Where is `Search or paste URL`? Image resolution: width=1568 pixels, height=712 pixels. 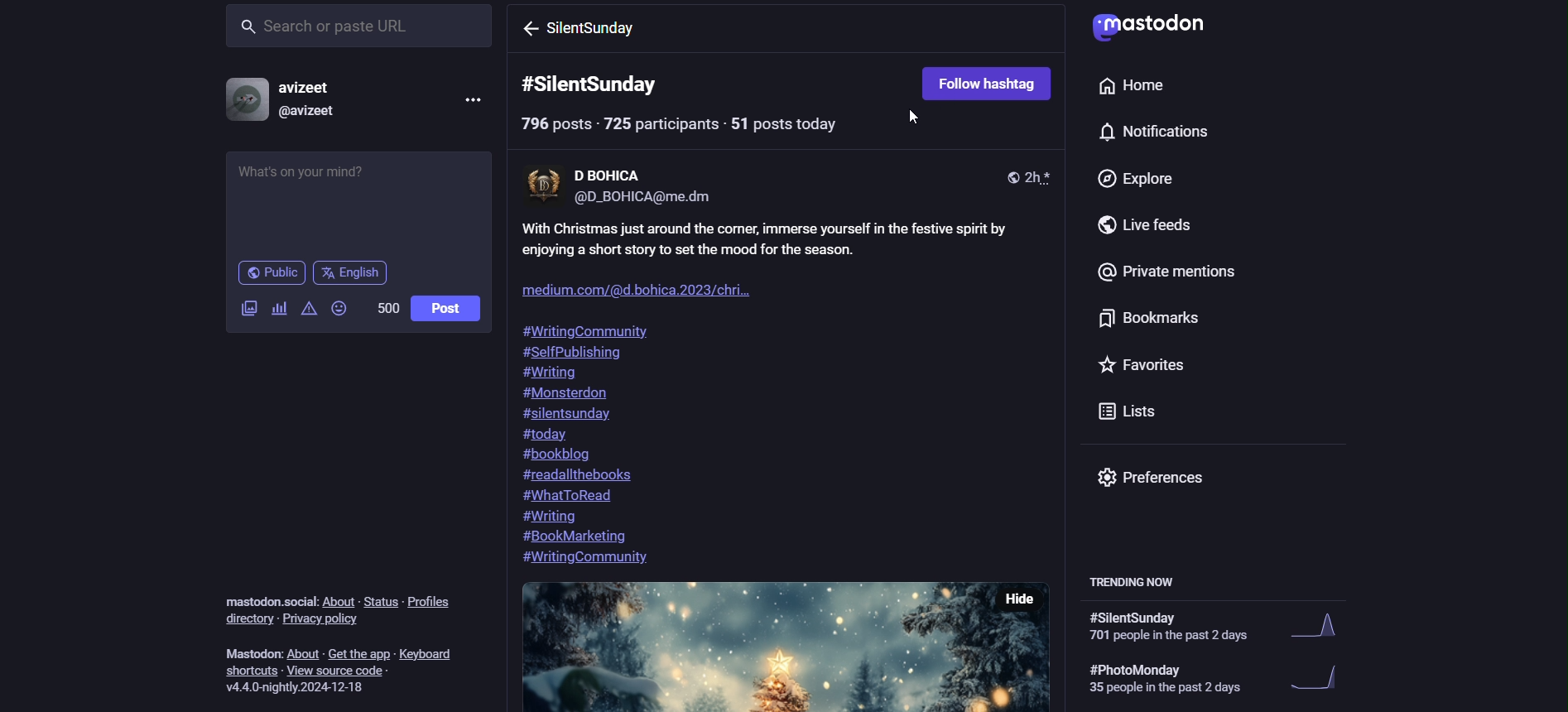 Search or paste URL is located at coordinates (358, 26).